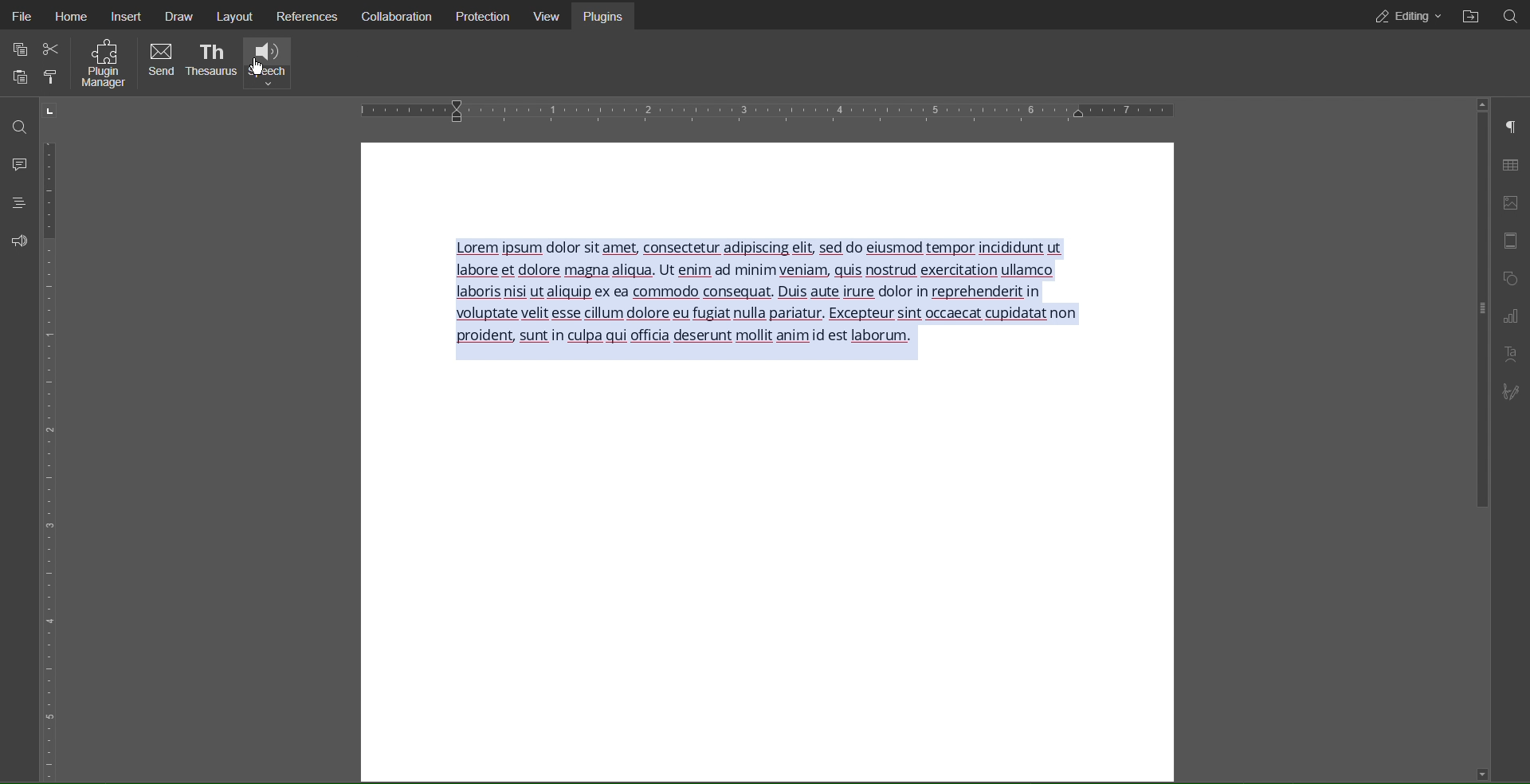  I want to click on Send, so click(161, 62).